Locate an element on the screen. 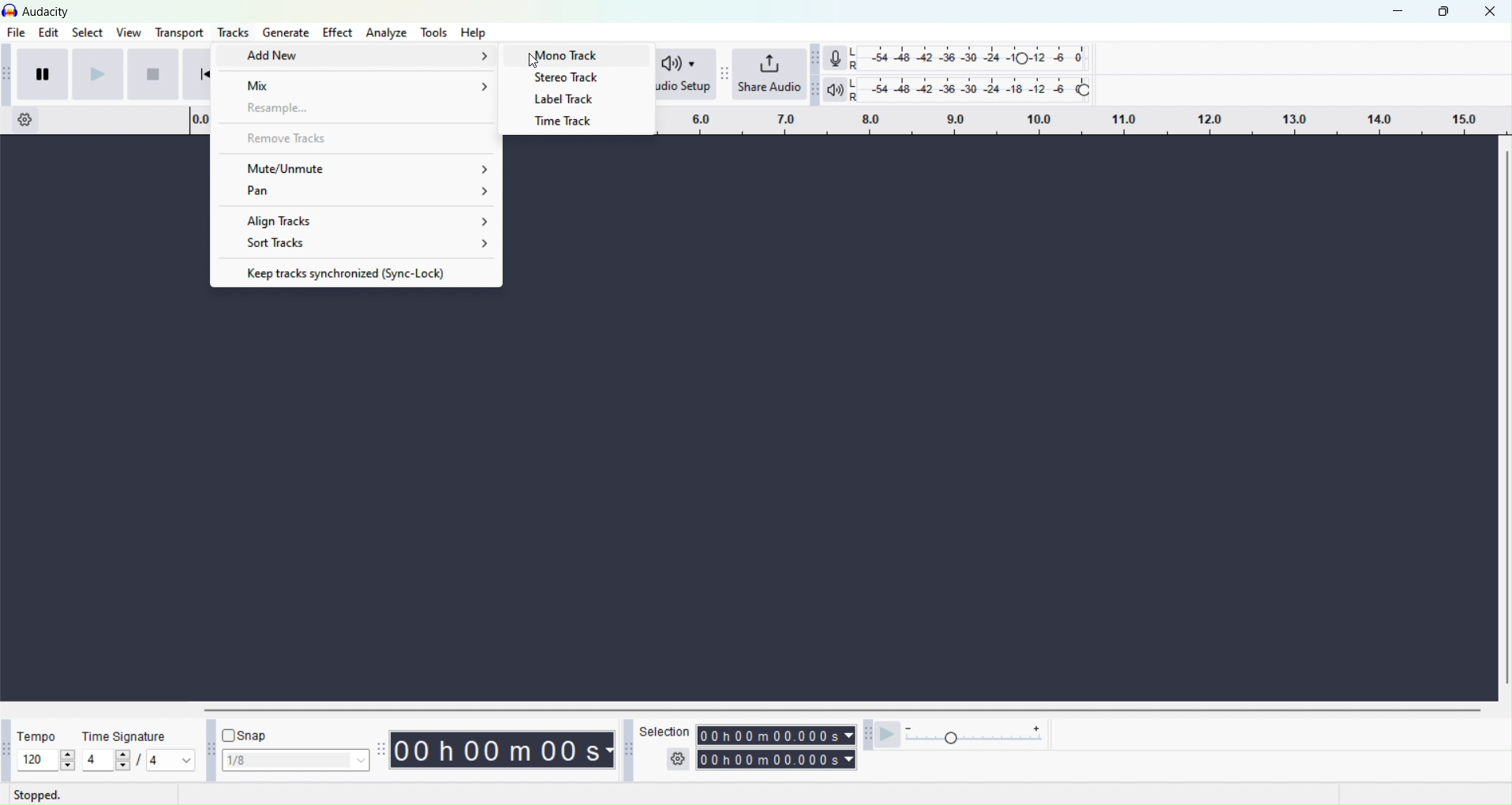 The height and width of the screenshot is (805, 1512). Audacity time toolbar is located at coordinates (380, 750).